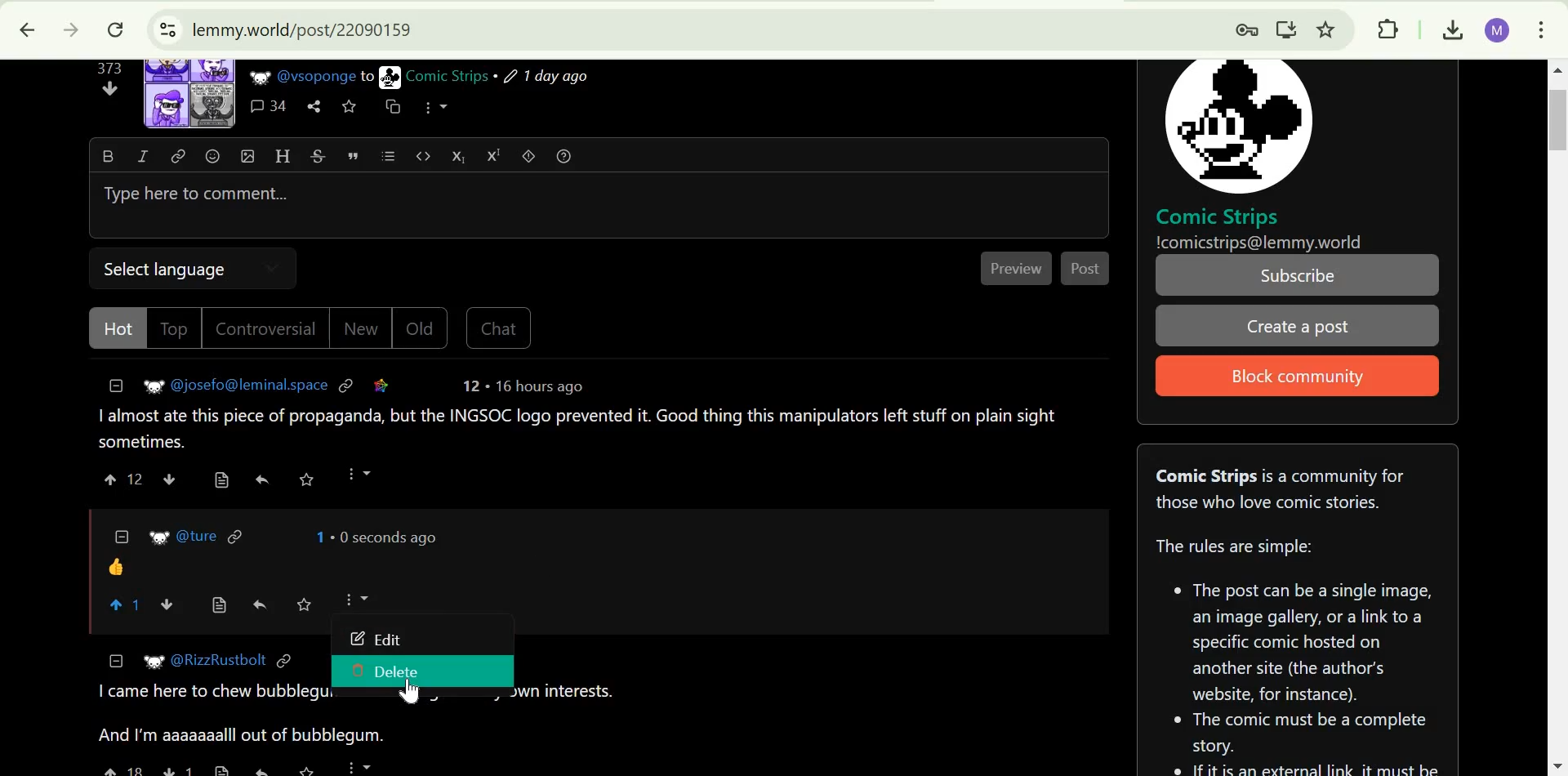 The image size is (1568, 776). I want to click on italic, so click(142, 155).